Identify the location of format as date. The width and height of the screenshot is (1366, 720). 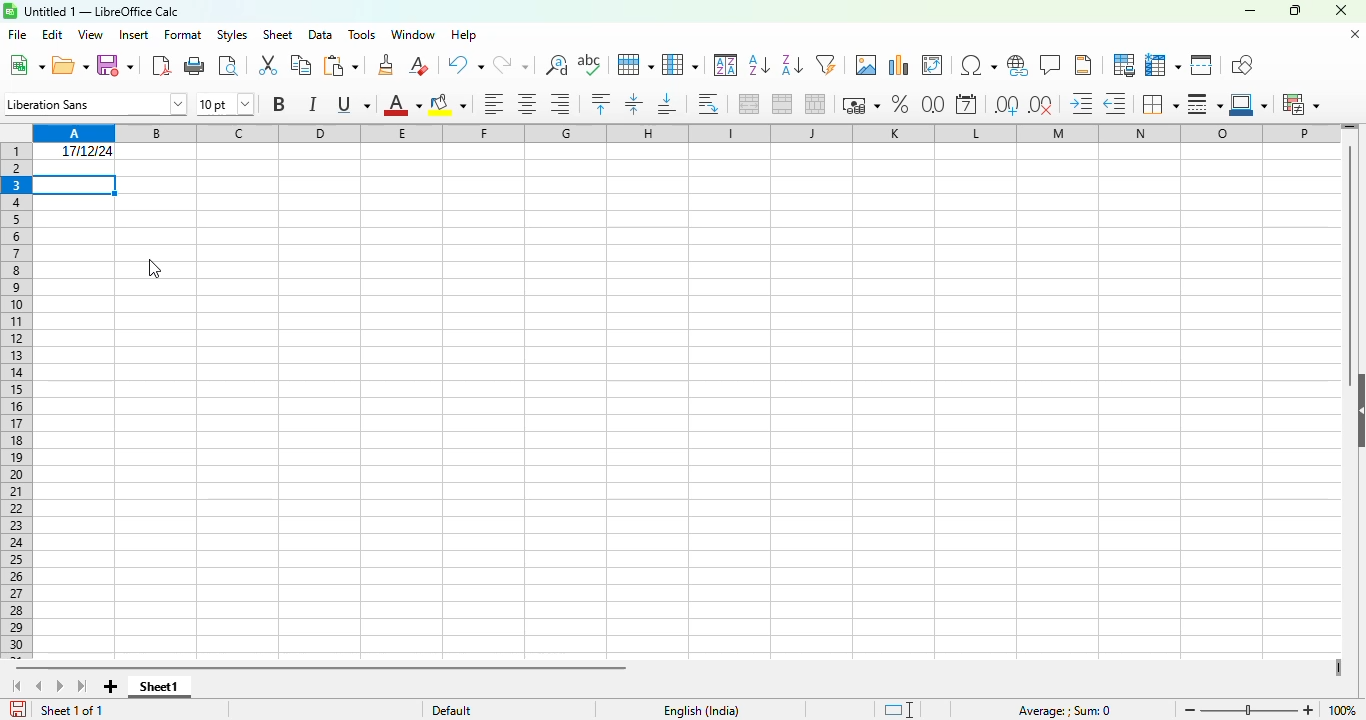
(966, 104).